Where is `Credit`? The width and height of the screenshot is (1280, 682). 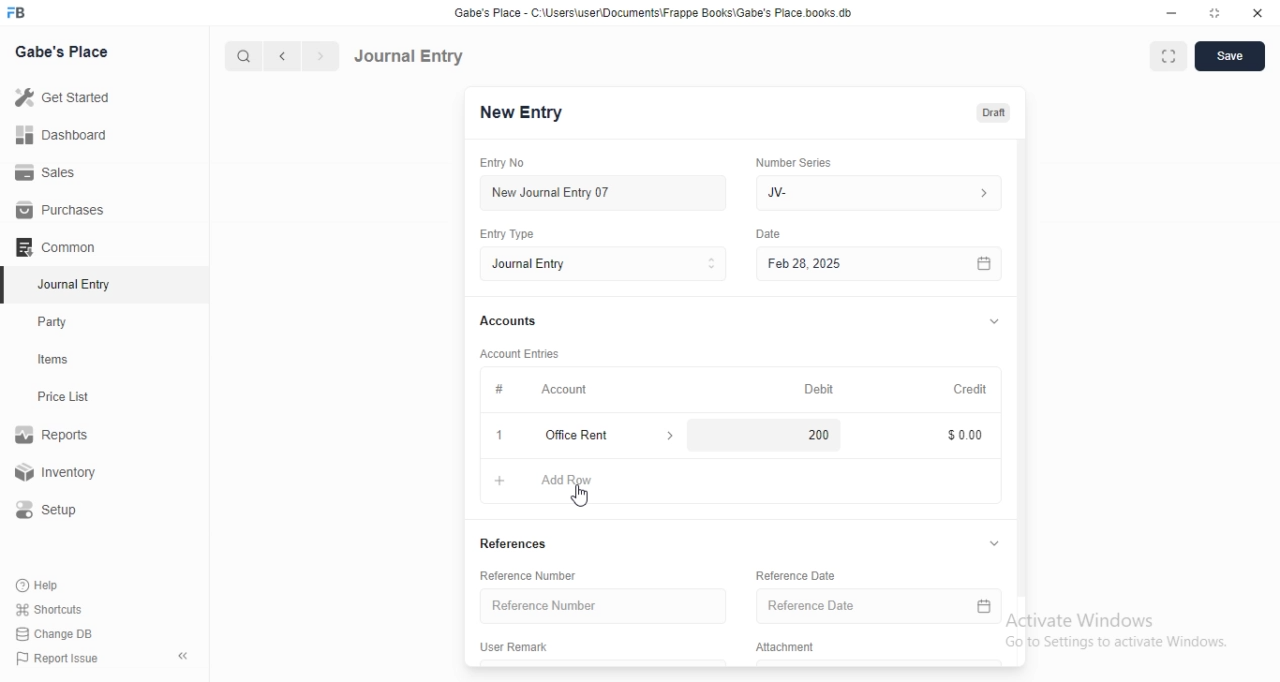
Credit is located at coordinates (969, 387).